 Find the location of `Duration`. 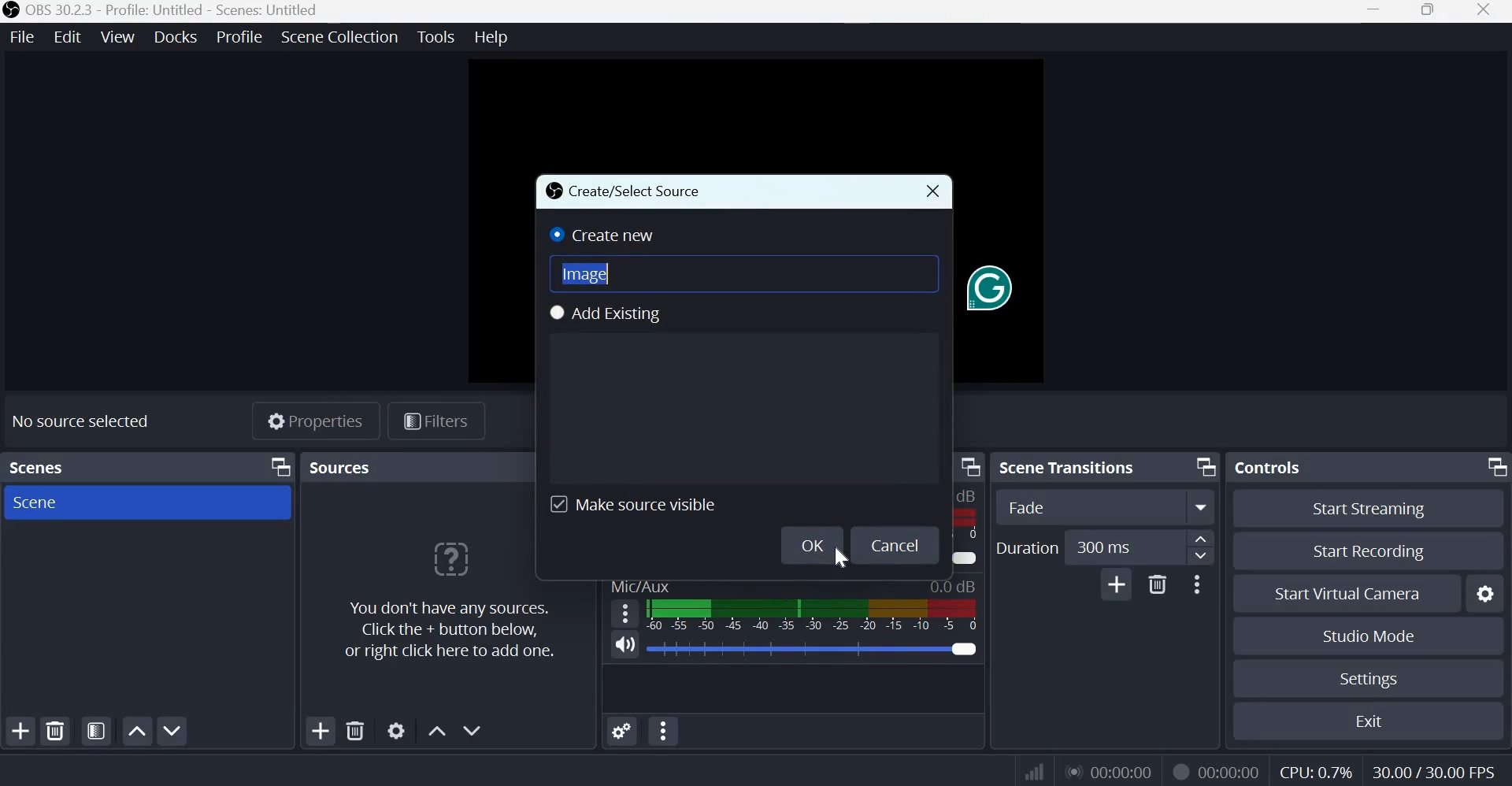

Duration is located at coordinates (1028, 548).